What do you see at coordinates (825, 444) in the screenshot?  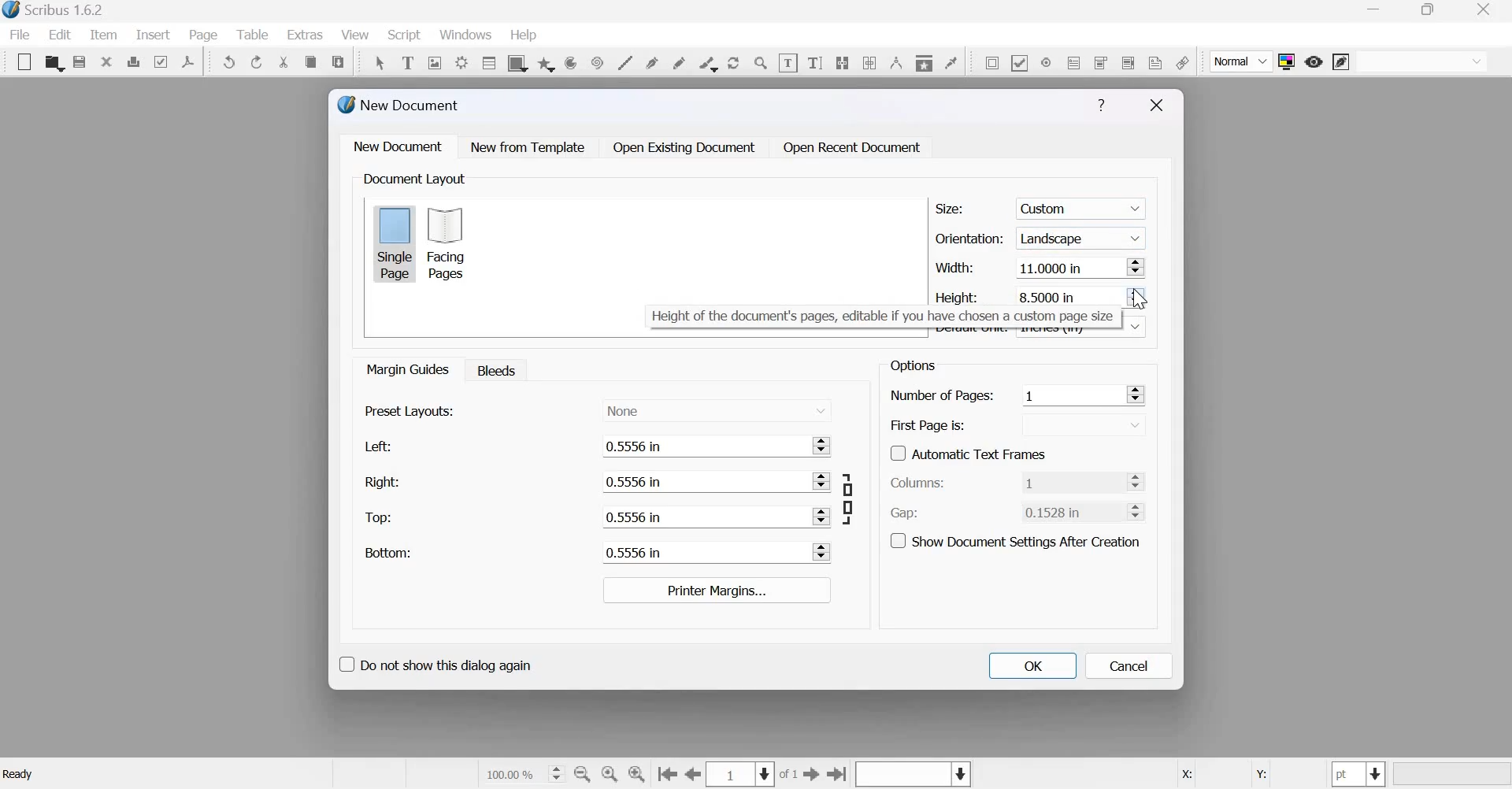 I see `Increase and Decrease` at bounding box center [825, 444].